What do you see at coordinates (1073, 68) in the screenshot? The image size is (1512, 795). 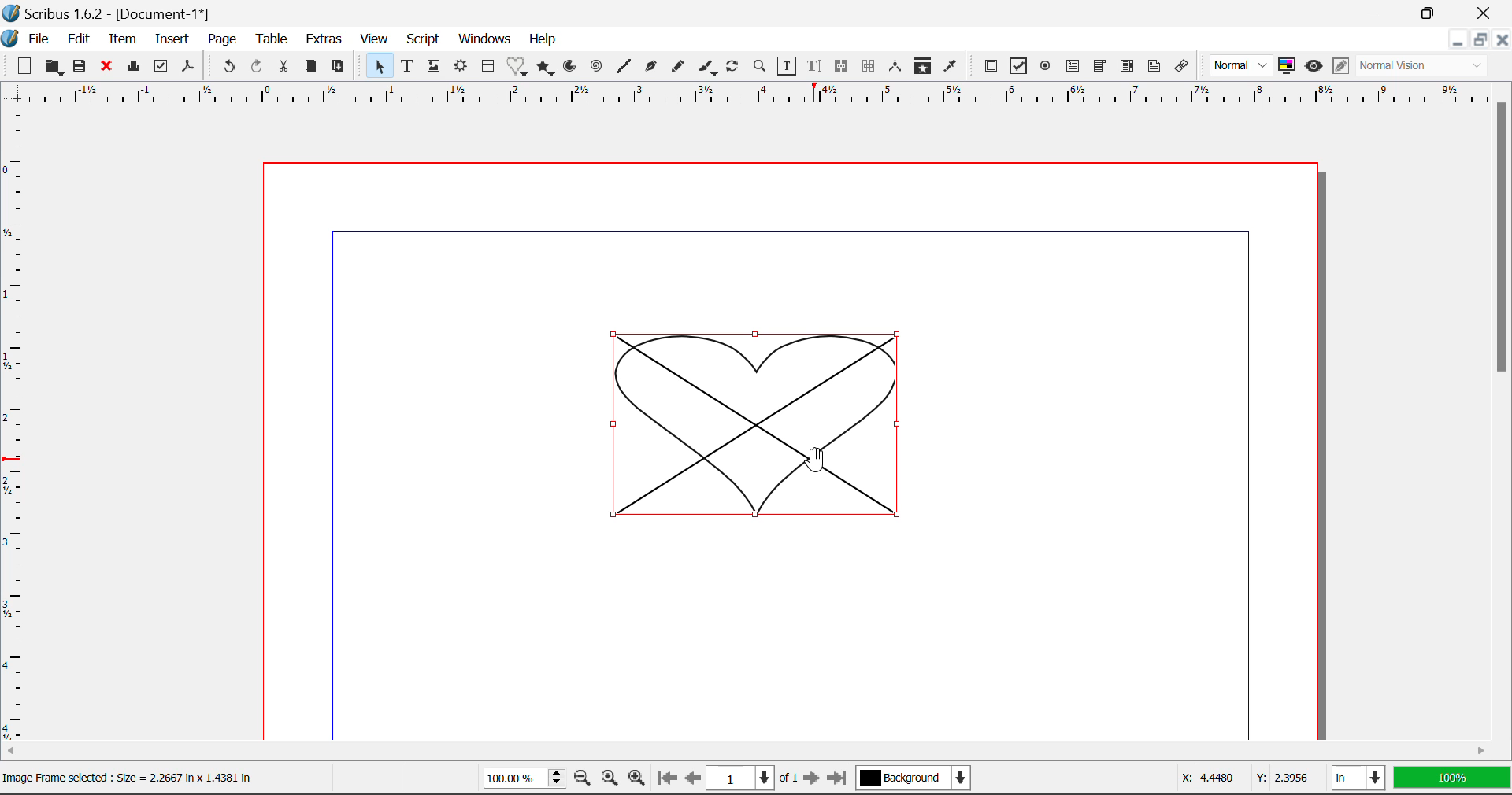 I see `Pdf Text Field` at bounding box center [1073, 68].